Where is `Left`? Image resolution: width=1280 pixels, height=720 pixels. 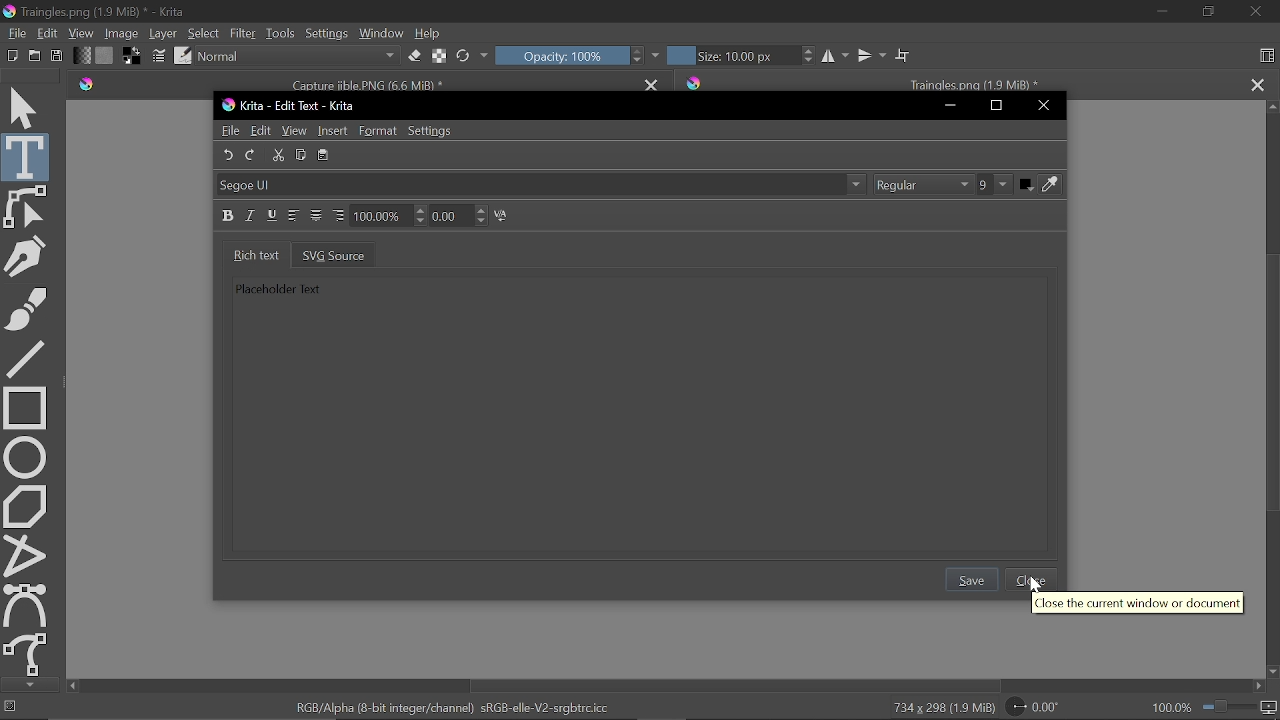
Left is located at coordinates (295, 215).